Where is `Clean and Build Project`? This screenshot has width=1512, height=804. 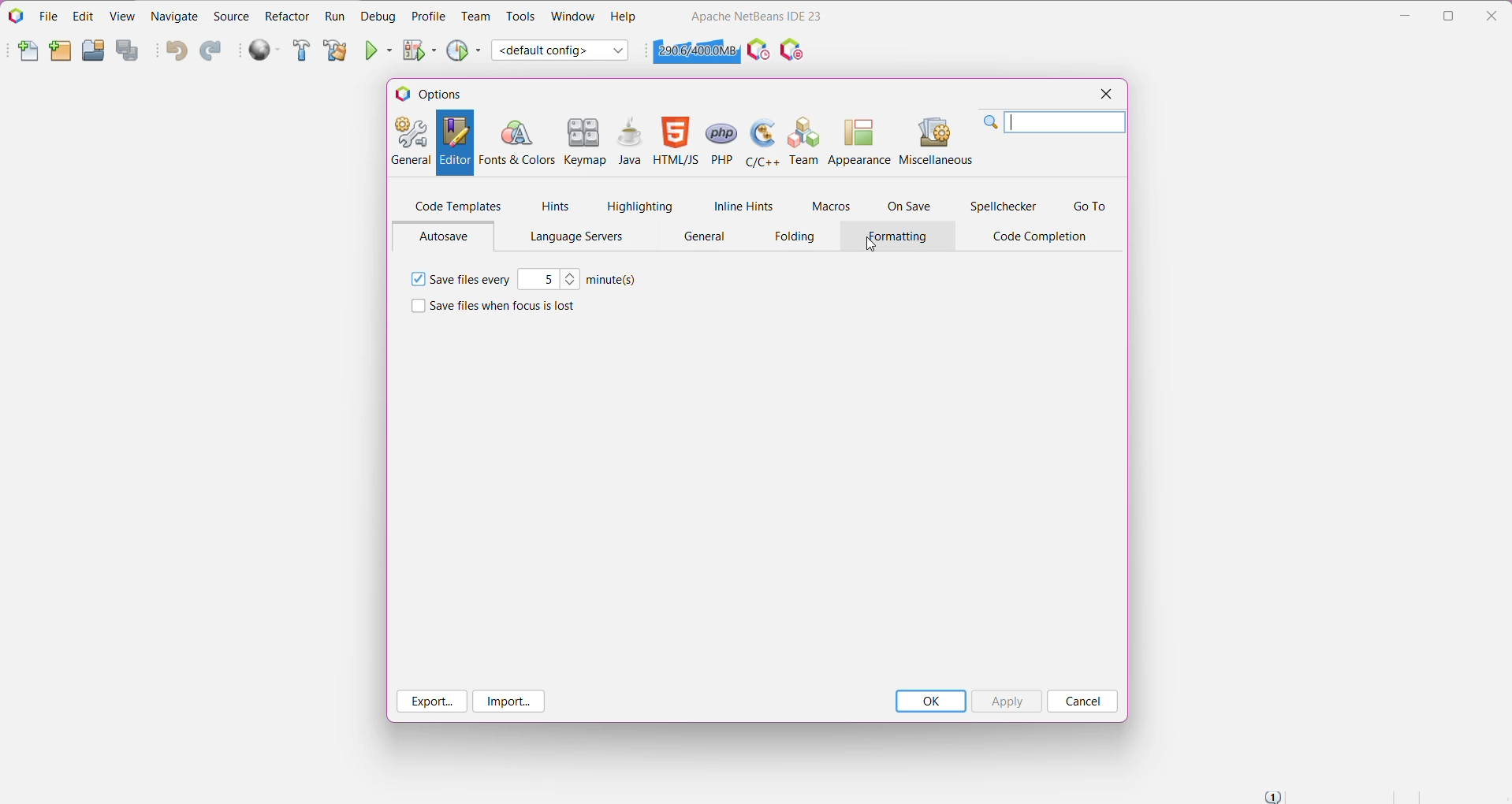
Clean and Build Project is located at coordinates (334, 51).